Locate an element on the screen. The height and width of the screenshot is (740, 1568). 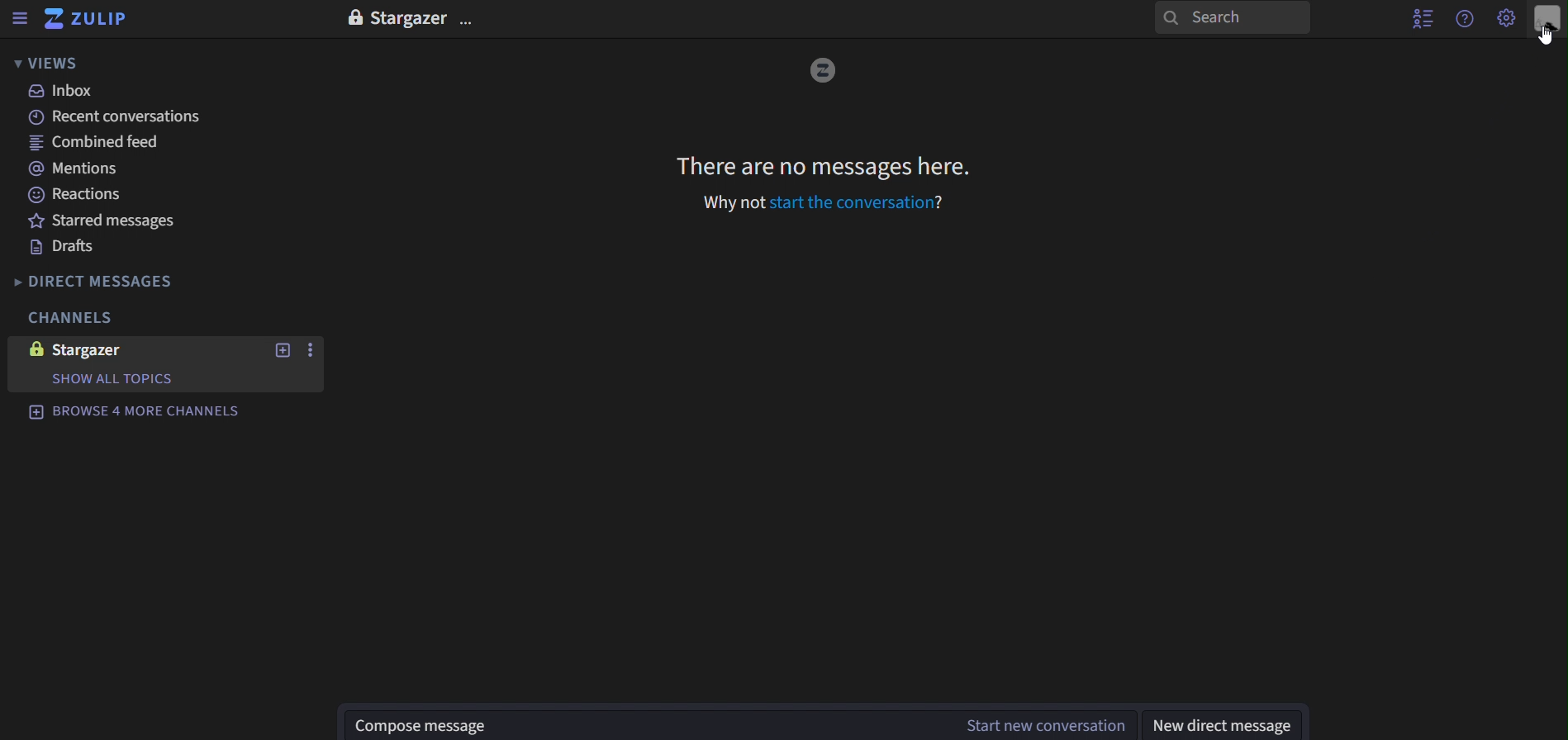
channels is located at coordinates (66, 316).